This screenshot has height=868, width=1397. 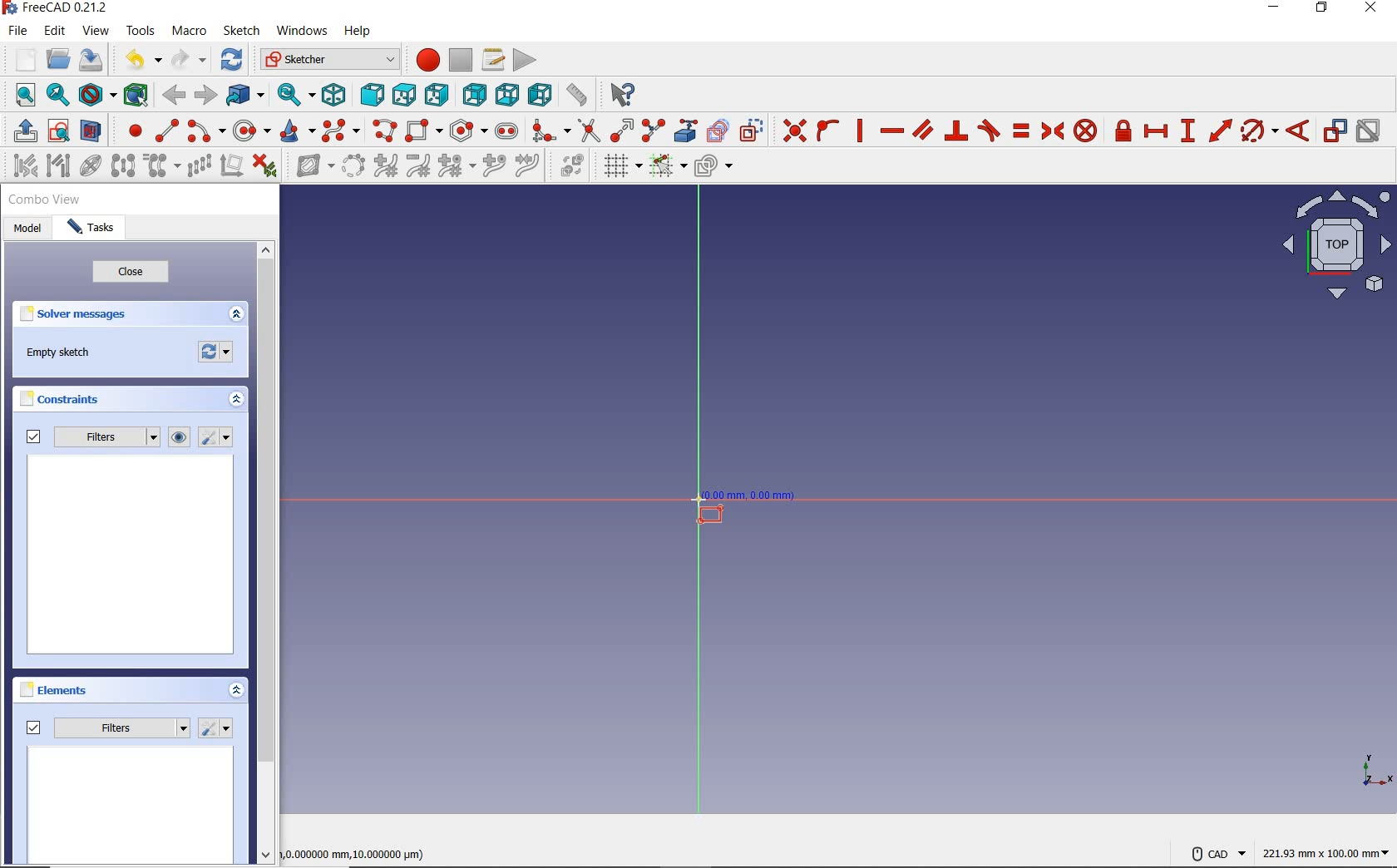 I want to click on new, so click(x=19, y=59).